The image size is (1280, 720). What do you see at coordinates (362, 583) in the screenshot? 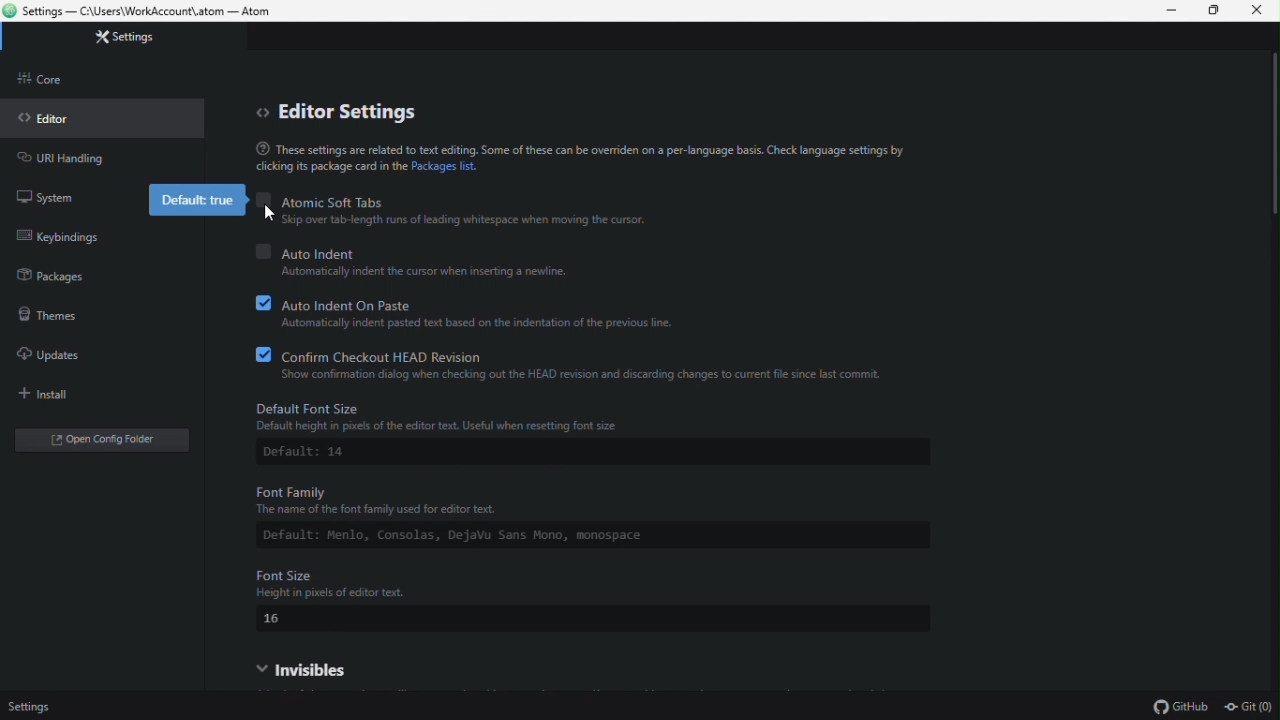
I see `Font Size
Height in pixels of editor text.` at bounding box center [362, 583].